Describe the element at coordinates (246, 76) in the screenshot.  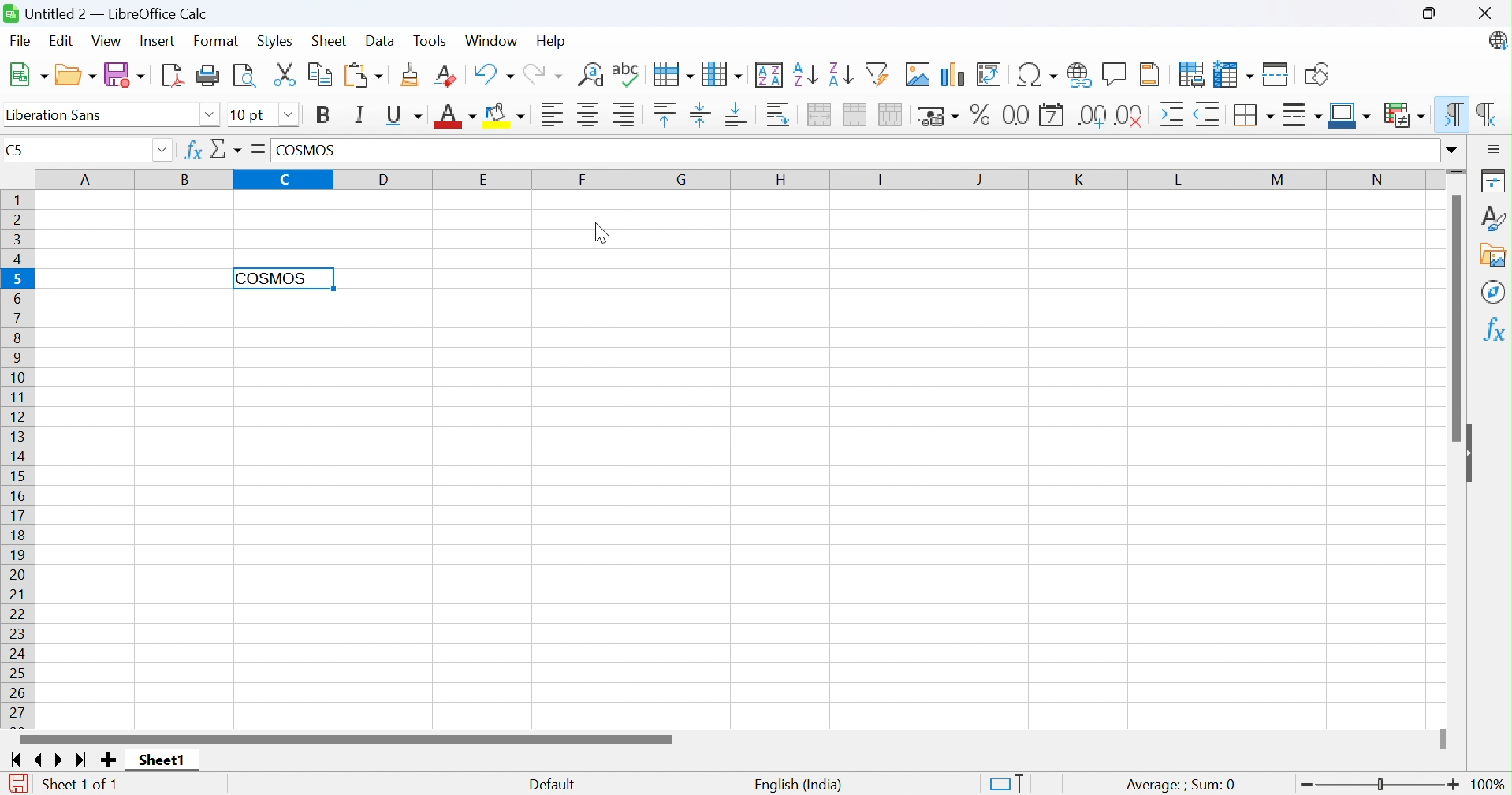
I see `Toggle print preview` at that location.